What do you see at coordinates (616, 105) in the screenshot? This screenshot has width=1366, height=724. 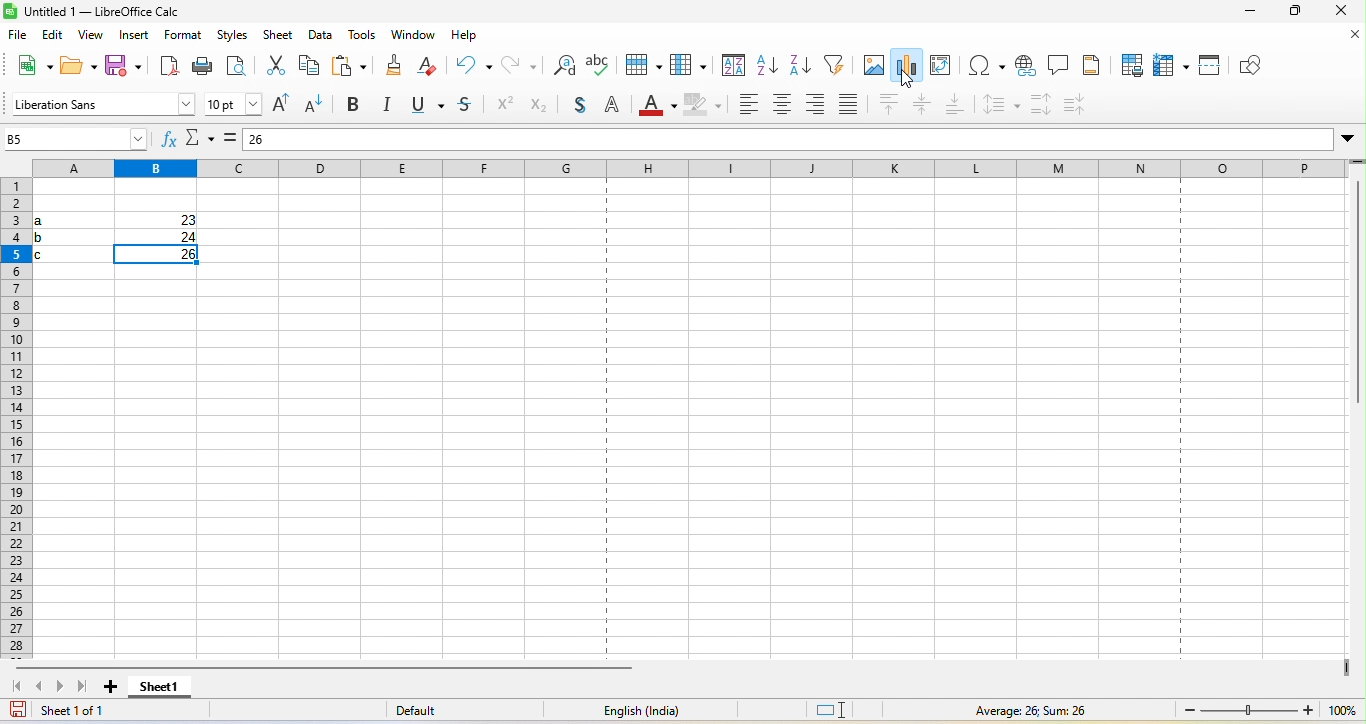 I see `apply outline ` at bounding box center [616, 105].